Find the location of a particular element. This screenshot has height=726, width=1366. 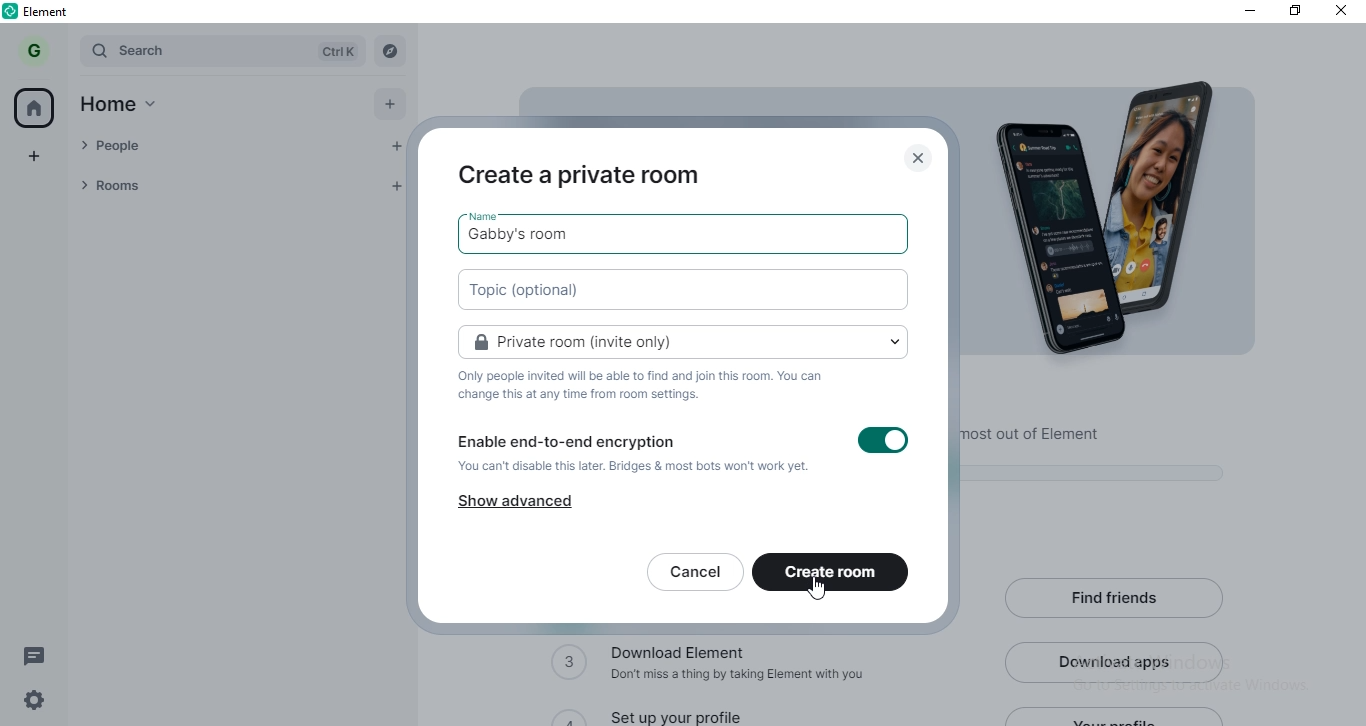

minimise is located at coordinates (1243, 11).